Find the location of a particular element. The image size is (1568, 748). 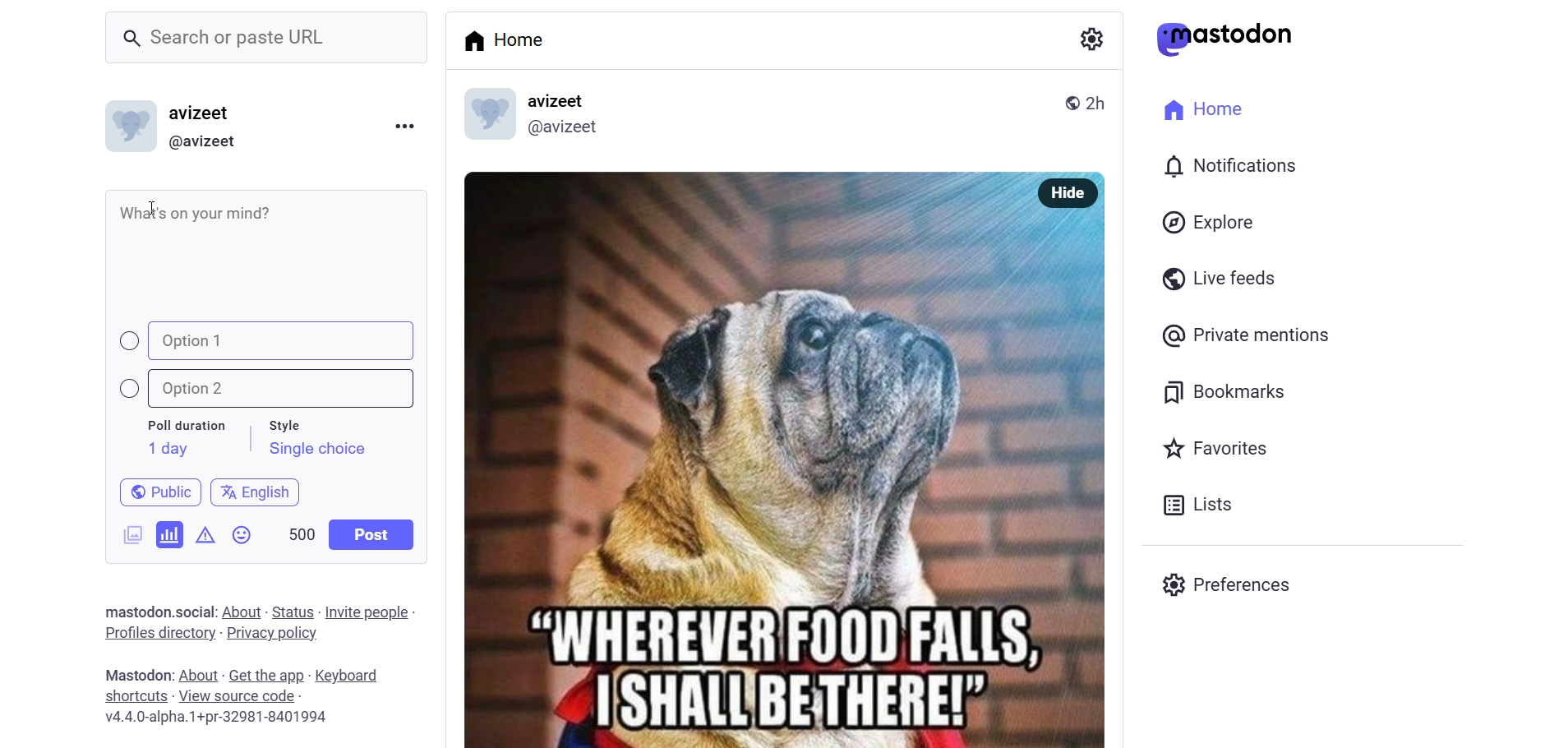

shortcuts is located at coordinates (135, 696).